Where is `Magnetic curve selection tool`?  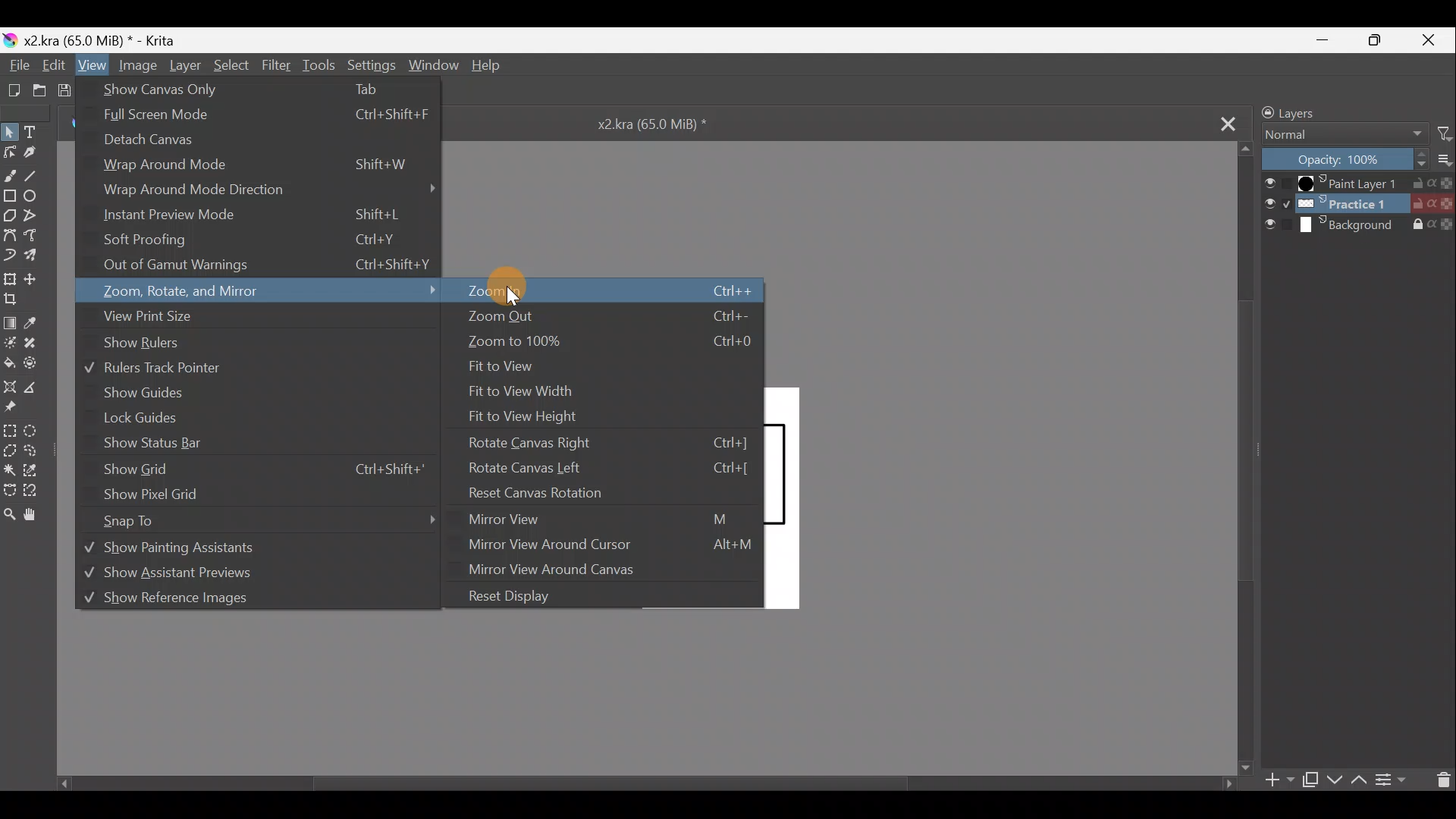
Magnetic curve selection tool is located at coordinates (43, 493).